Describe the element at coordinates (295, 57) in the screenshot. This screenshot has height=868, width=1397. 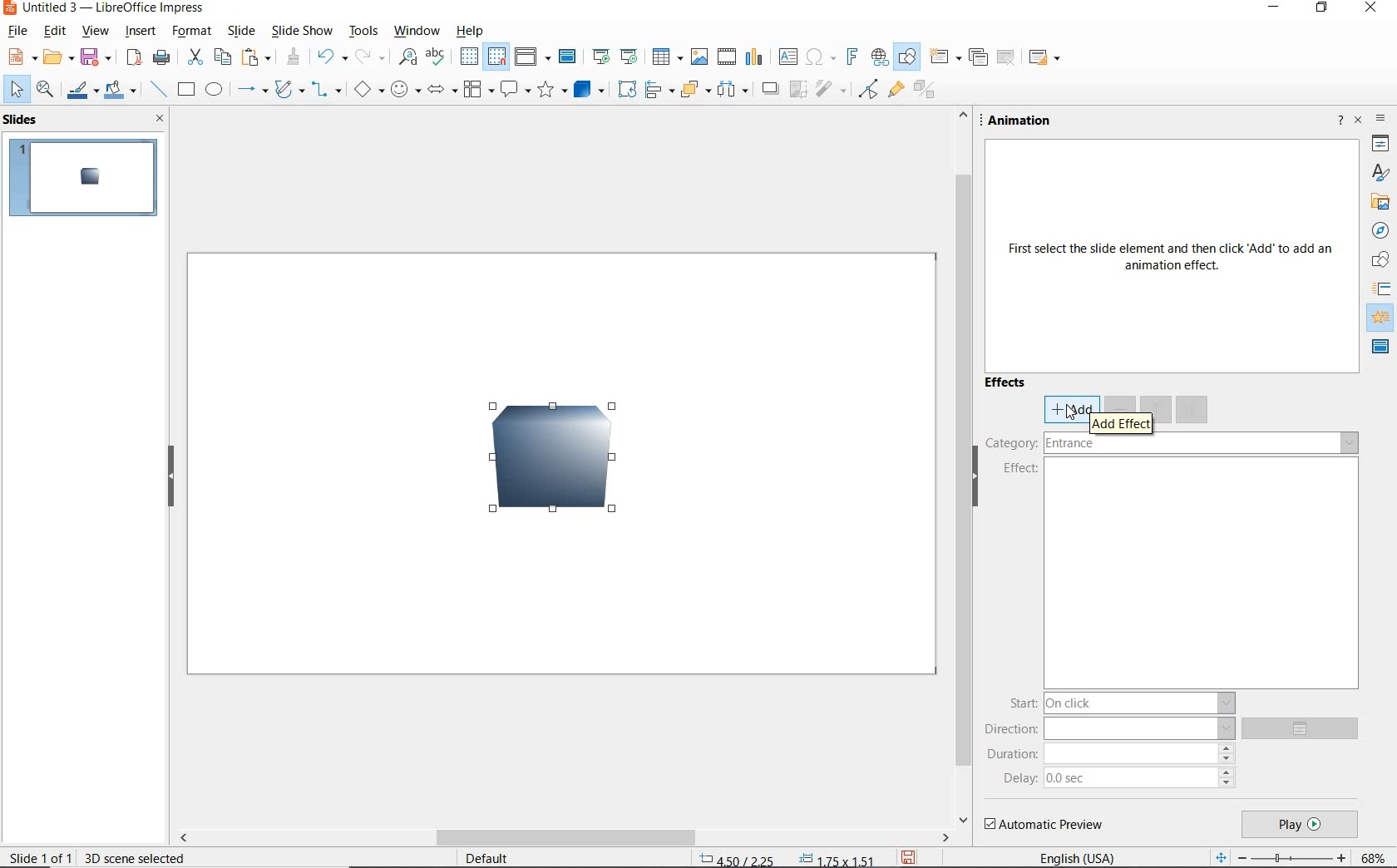
I see `clone formatting` at that location.